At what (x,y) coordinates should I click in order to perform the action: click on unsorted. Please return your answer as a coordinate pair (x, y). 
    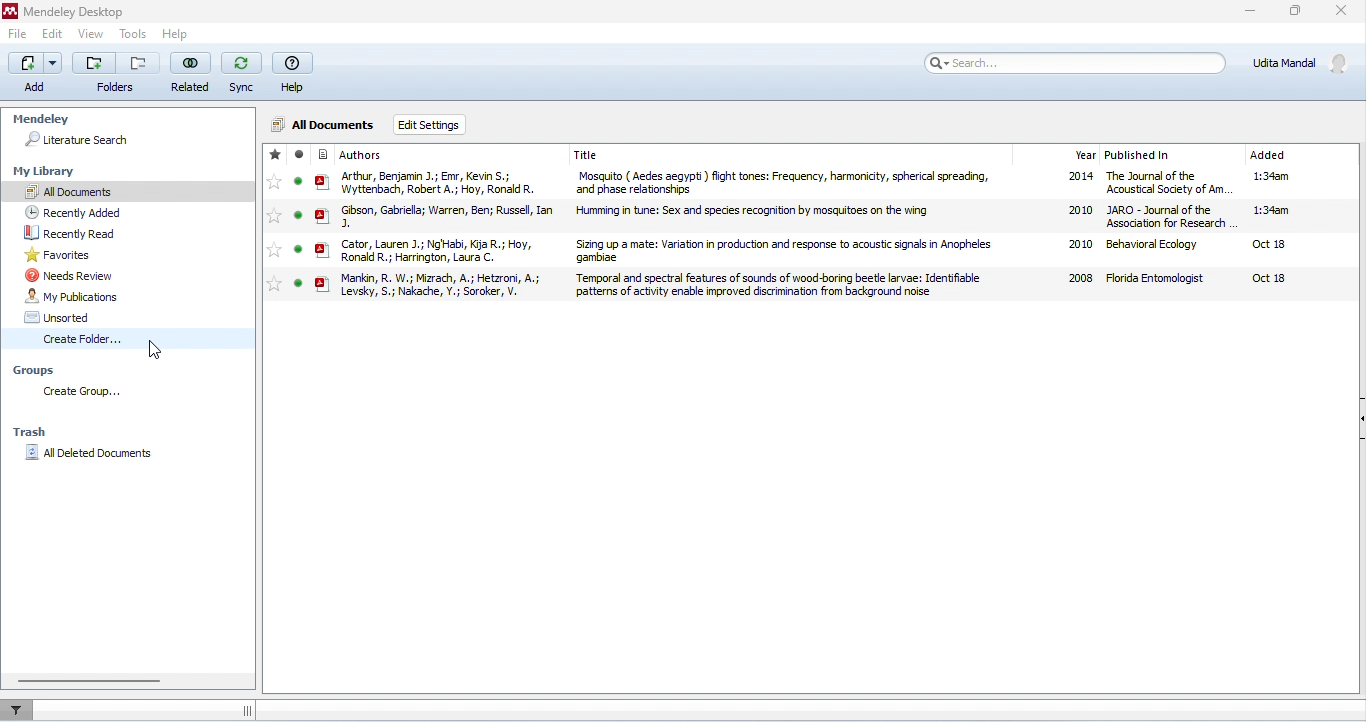
    Looking at the image, I should click on (137, 317).